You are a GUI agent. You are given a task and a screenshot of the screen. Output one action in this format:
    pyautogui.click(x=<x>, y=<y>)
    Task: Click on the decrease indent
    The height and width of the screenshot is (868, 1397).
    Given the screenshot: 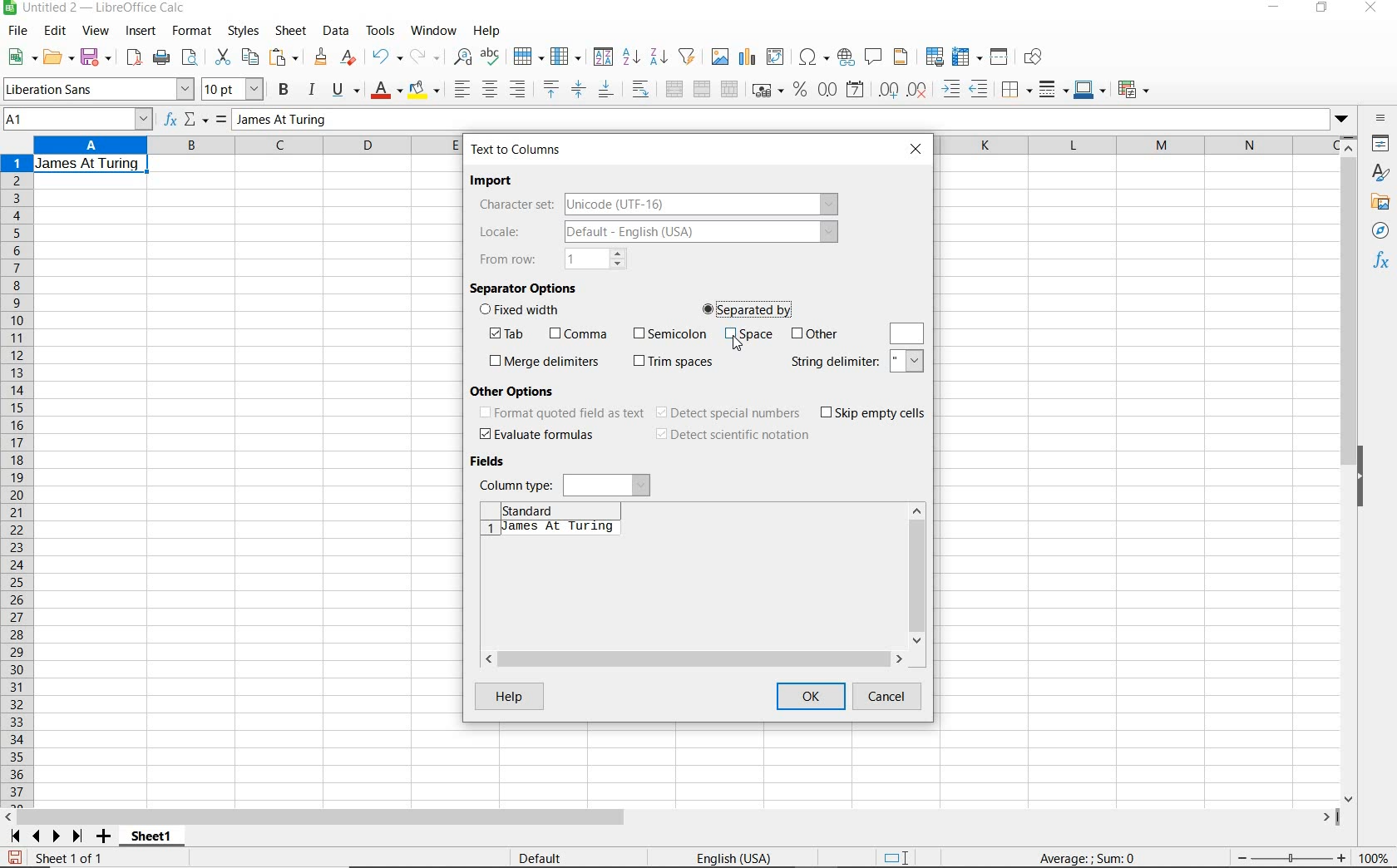 What is the action you would take?
    pyautogui.click(x=981, y=89)
    